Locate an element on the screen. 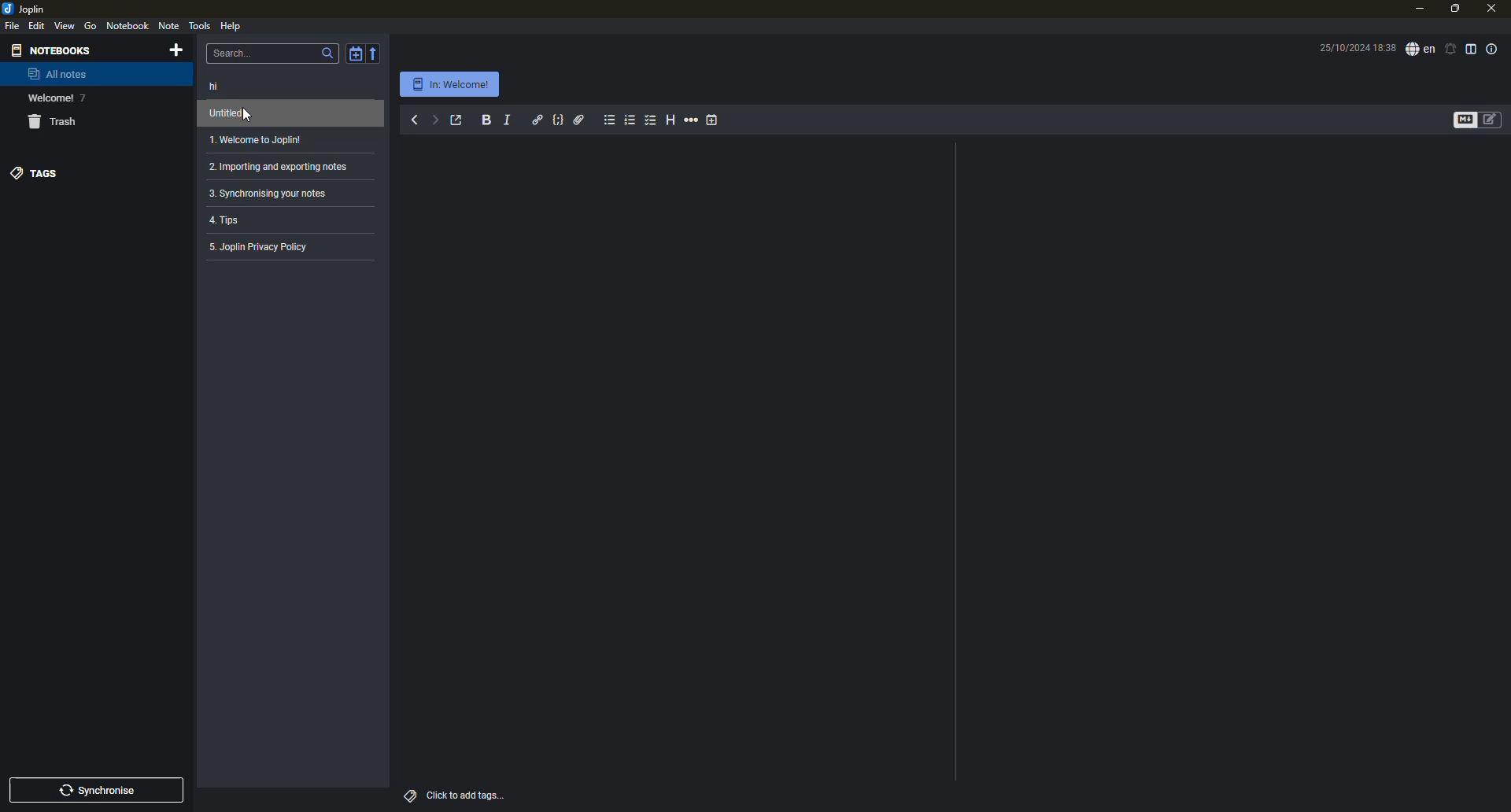 The height and width of the screenshot is (812, 1511). all notes is located at coordinates (57, 74).